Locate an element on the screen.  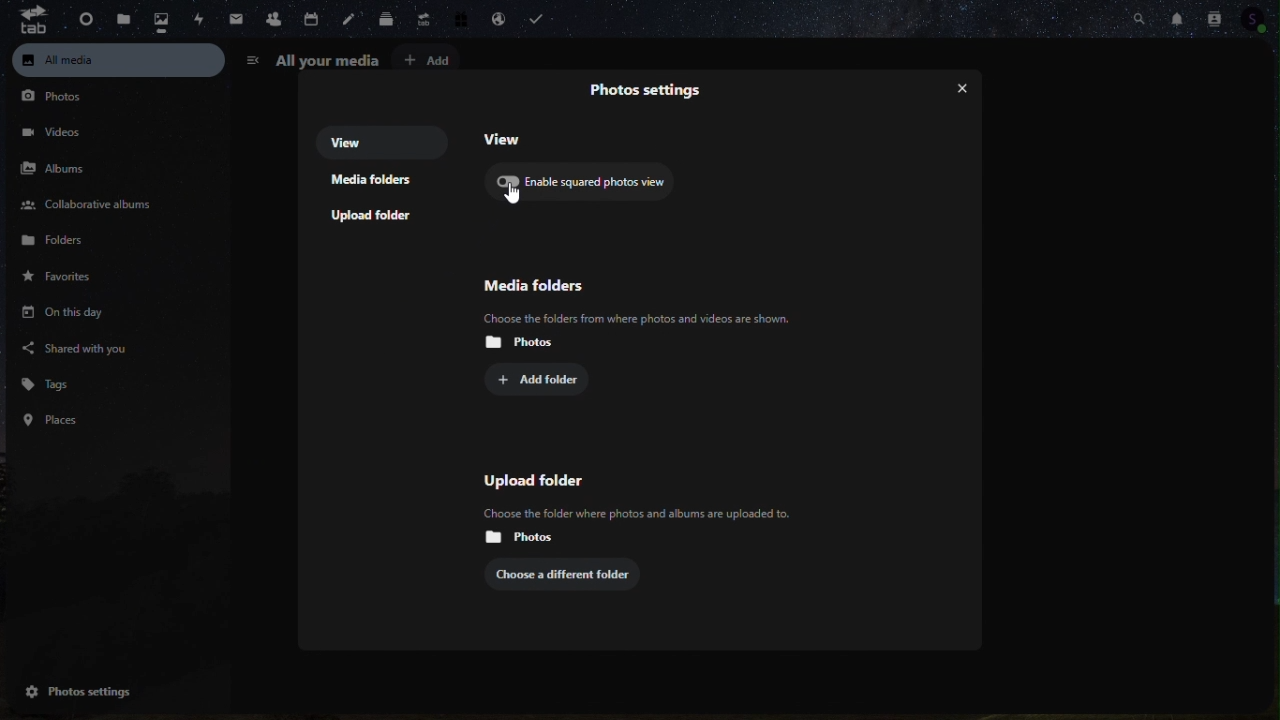
Dashboard is located at coordinates (80, 17).